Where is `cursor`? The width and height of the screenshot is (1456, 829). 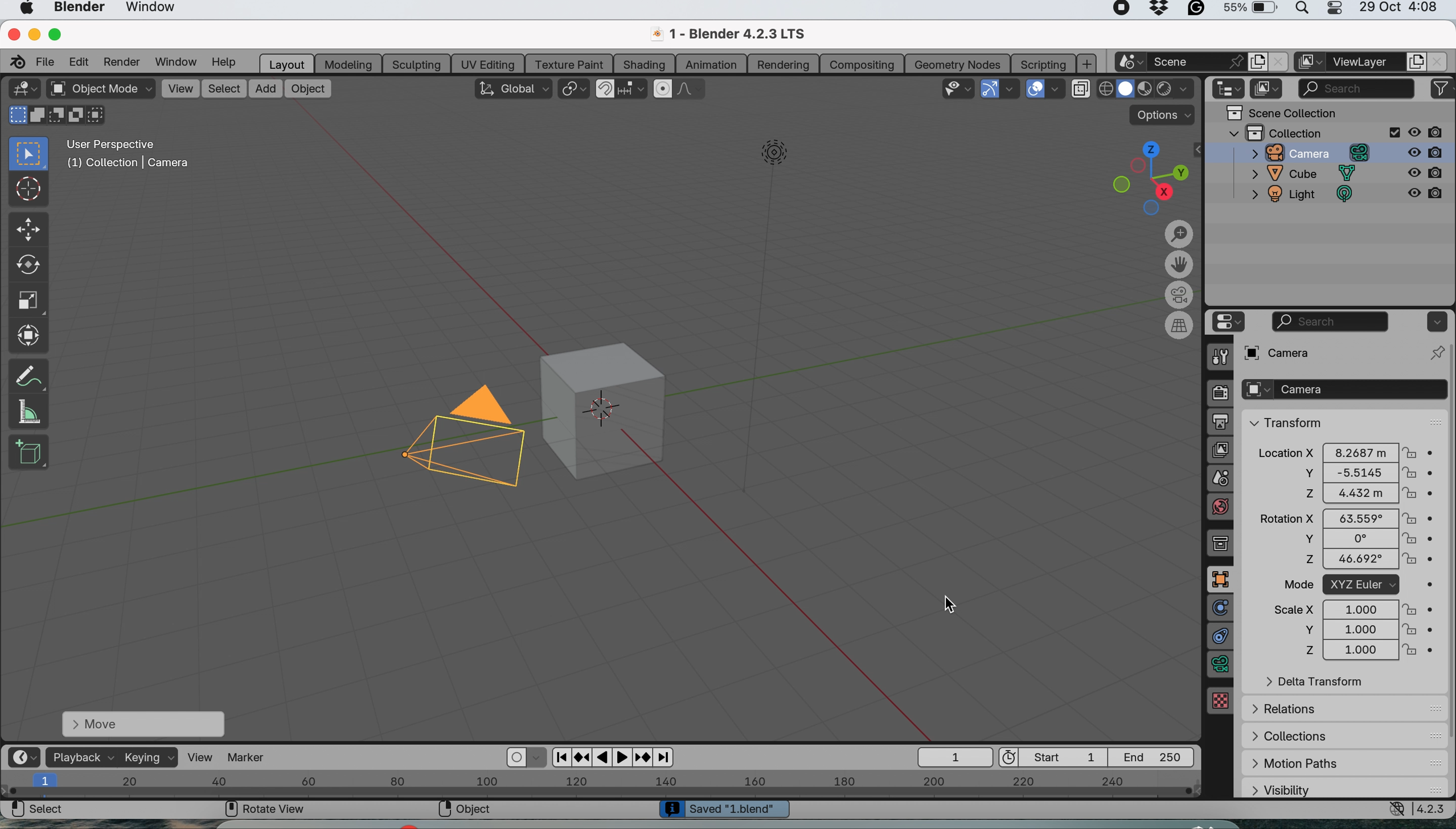 cursor is located at coordinates (948, 606).